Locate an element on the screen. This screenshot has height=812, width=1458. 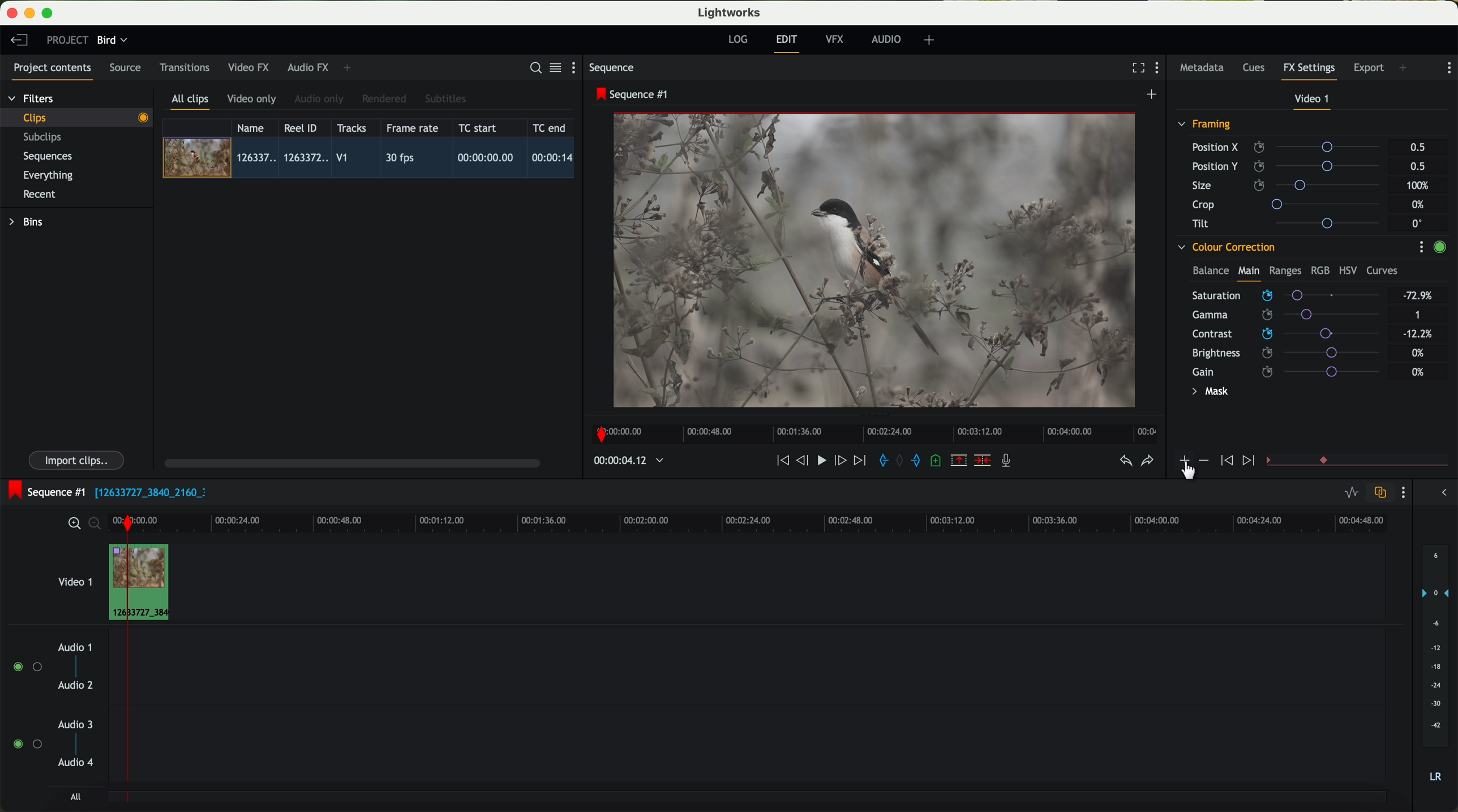
bird is located at coordinates (112, 41).